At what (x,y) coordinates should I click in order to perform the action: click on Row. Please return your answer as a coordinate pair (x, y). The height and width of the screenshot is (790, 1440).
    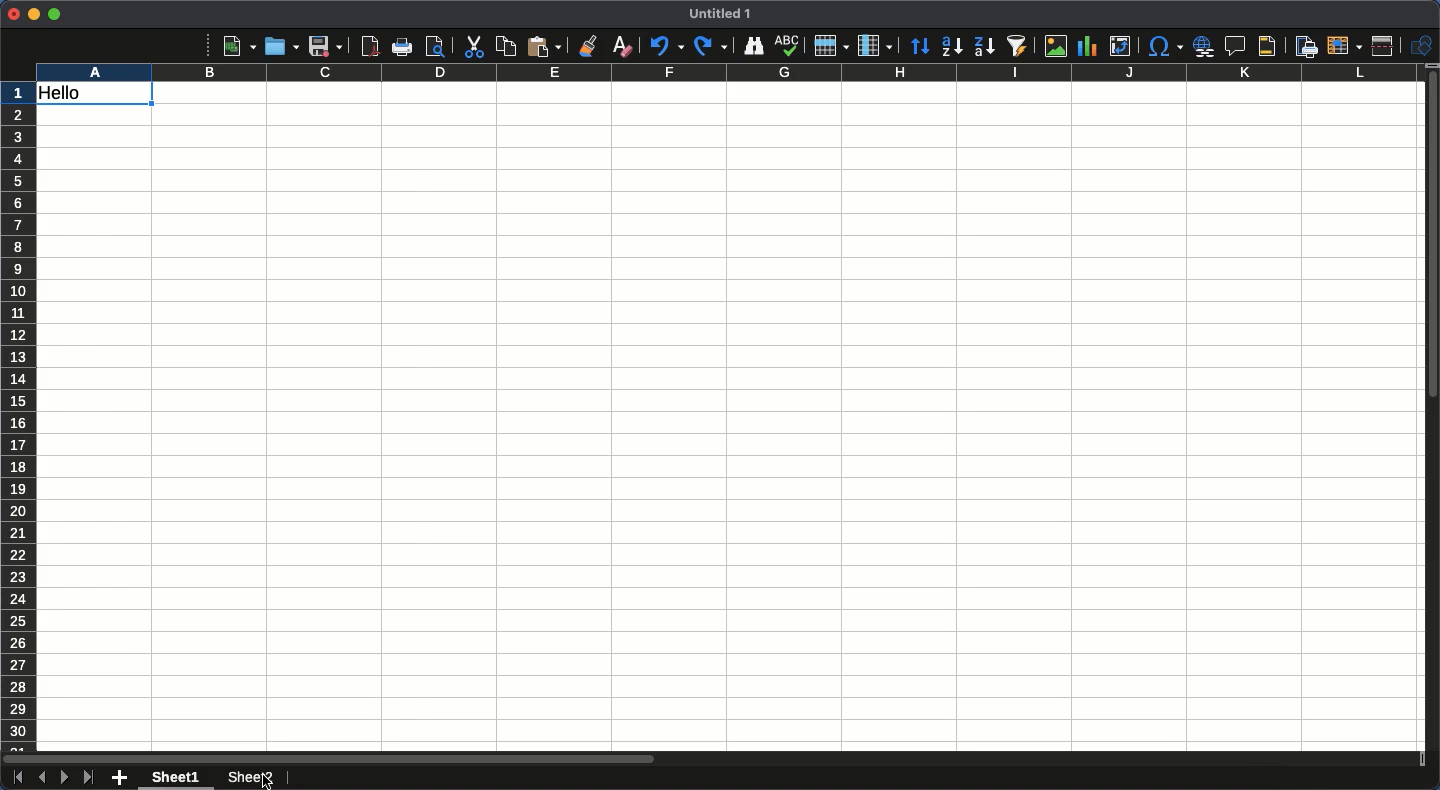
    Looking at the image, I should click on (832, 45).